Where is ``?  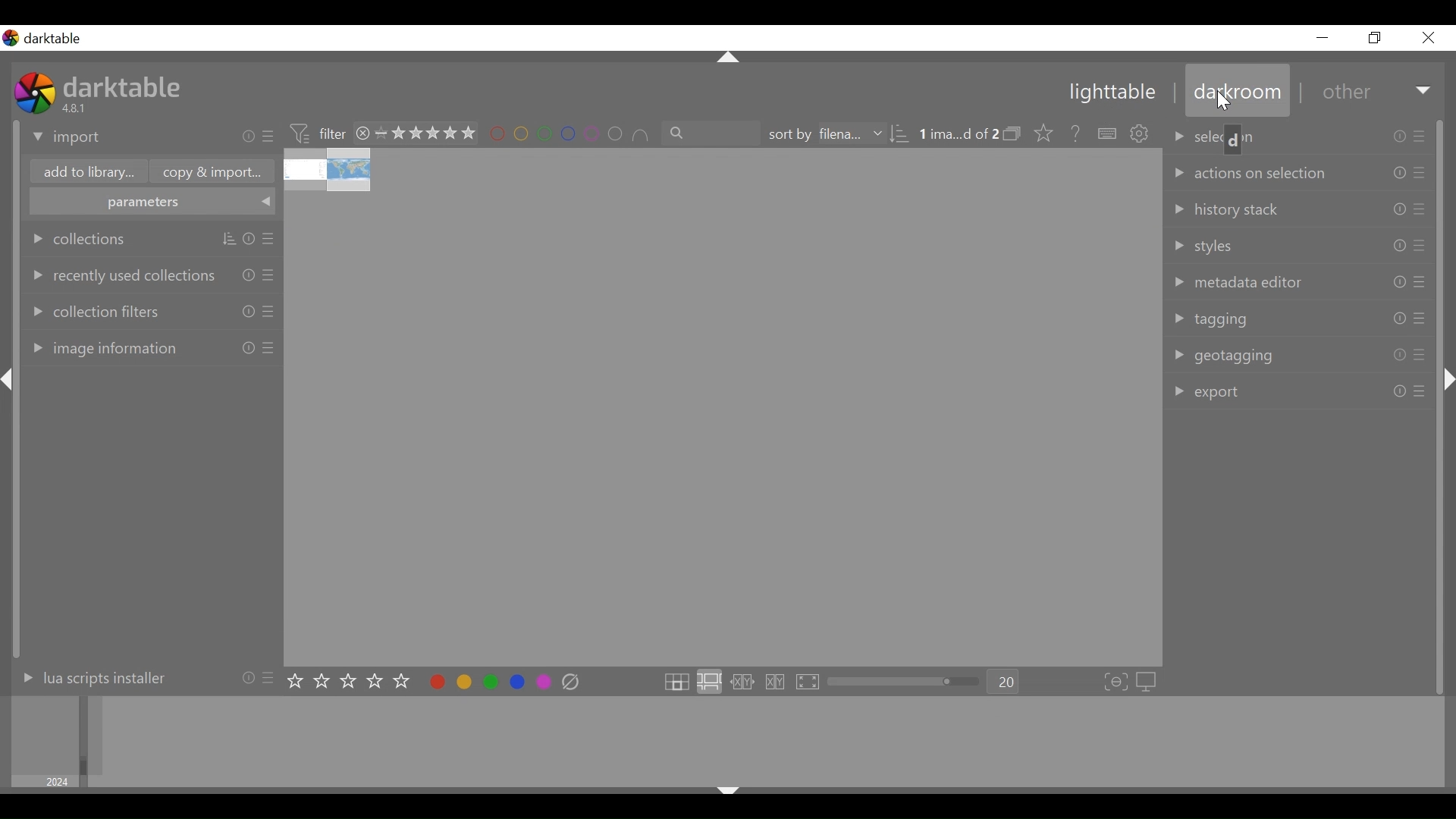  is located at coordinates (1400, 391).